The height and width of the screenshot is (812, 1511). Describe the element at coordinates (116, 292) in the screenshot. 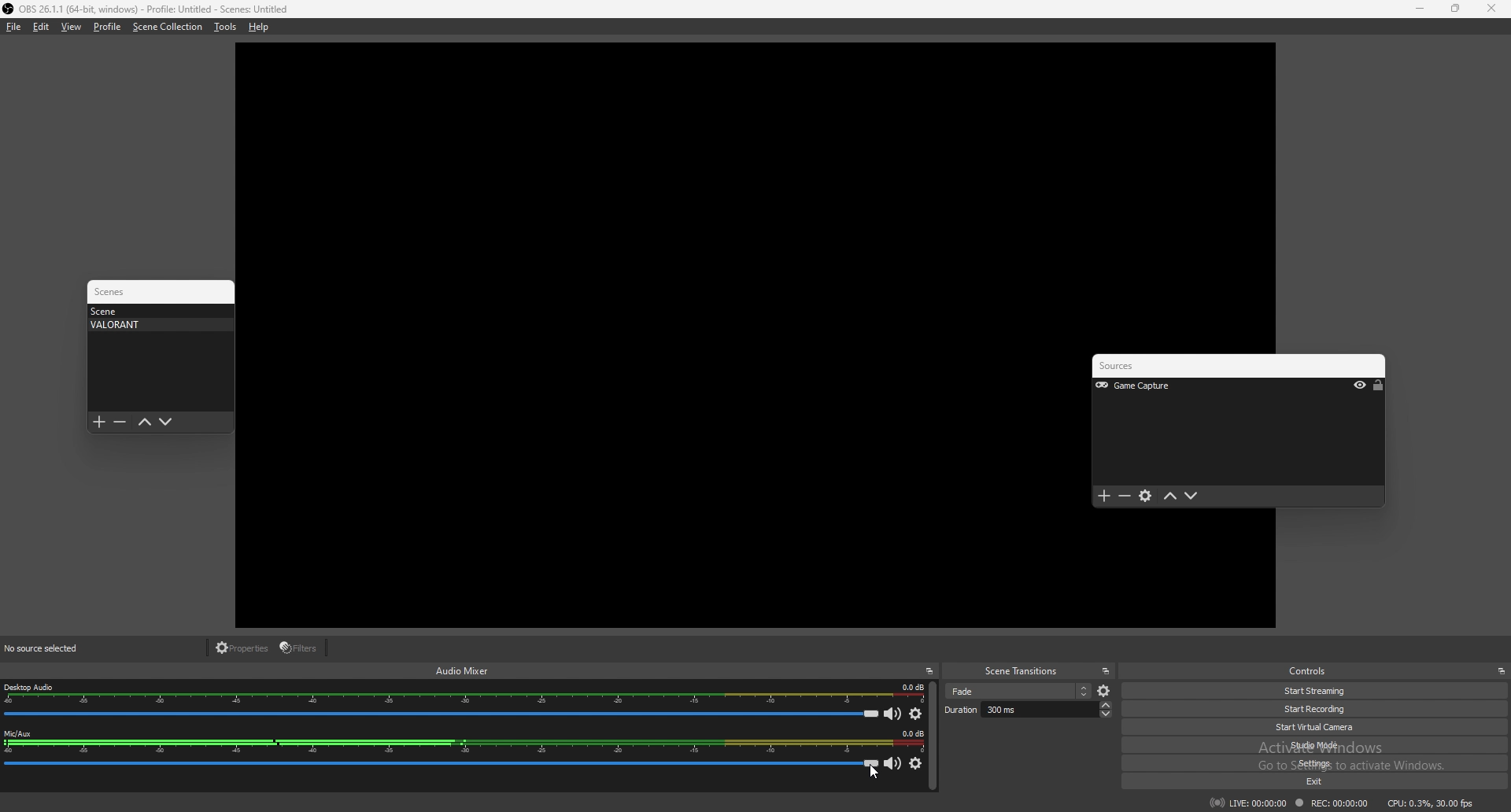

I see `scenes` at that location.